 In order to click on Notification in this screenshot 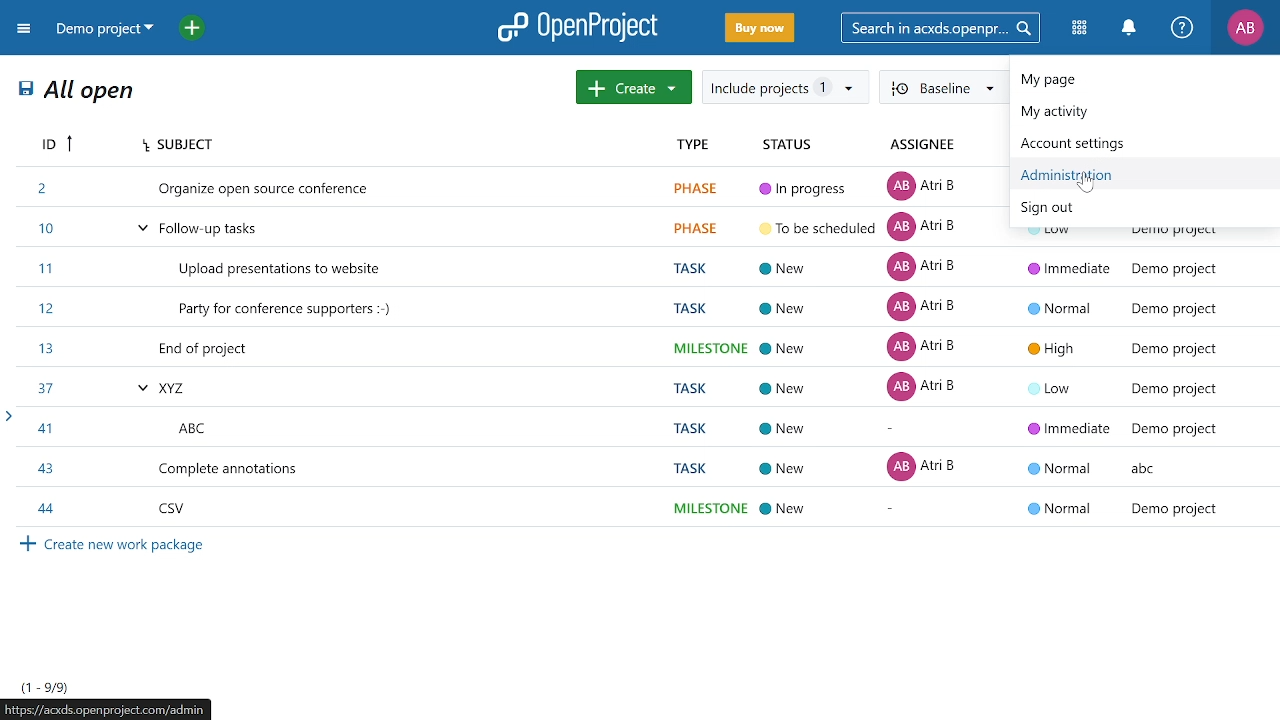, I will do `click(1128, 28)`.